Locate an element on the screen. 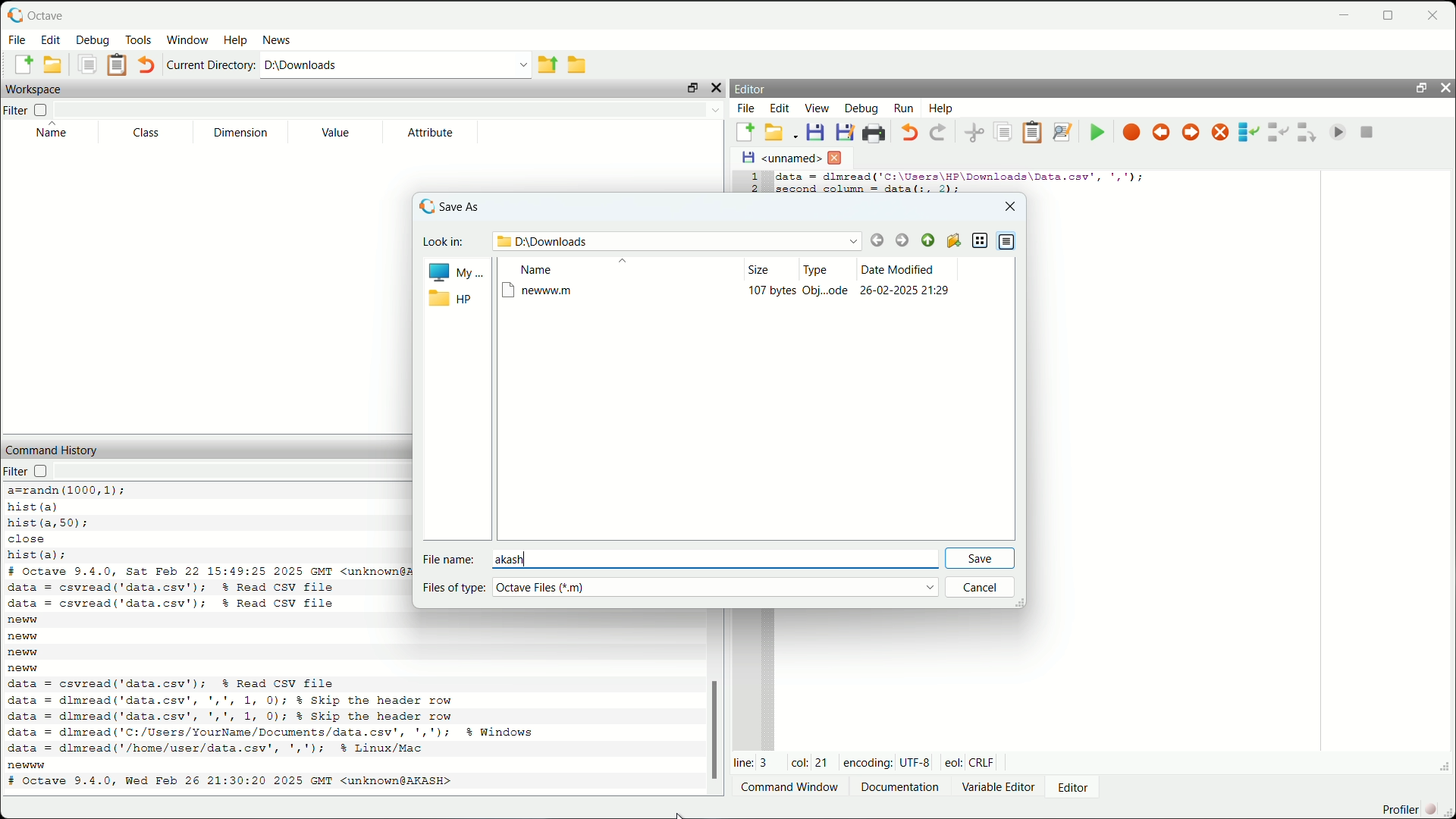 The image size is (1456, 819). code to read csv is located at coordinates (322, 716).